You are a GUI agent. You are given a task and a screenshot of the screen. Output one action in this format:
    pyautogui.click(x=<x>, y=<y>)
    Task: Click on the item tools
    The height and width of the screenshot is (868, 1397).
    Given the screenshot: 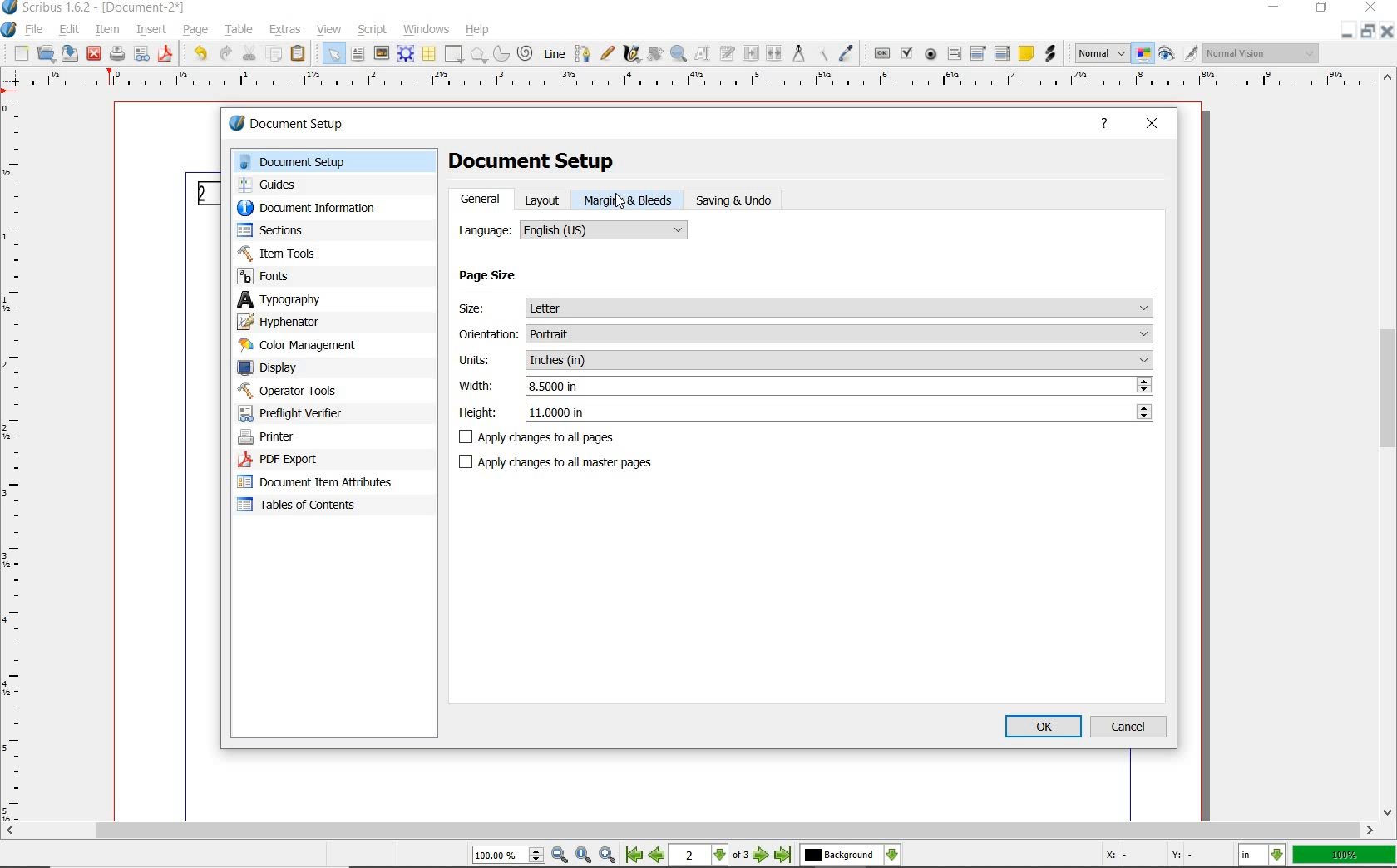 What is the action you would take?
    pyautogui.click(x=280, y=255)
    